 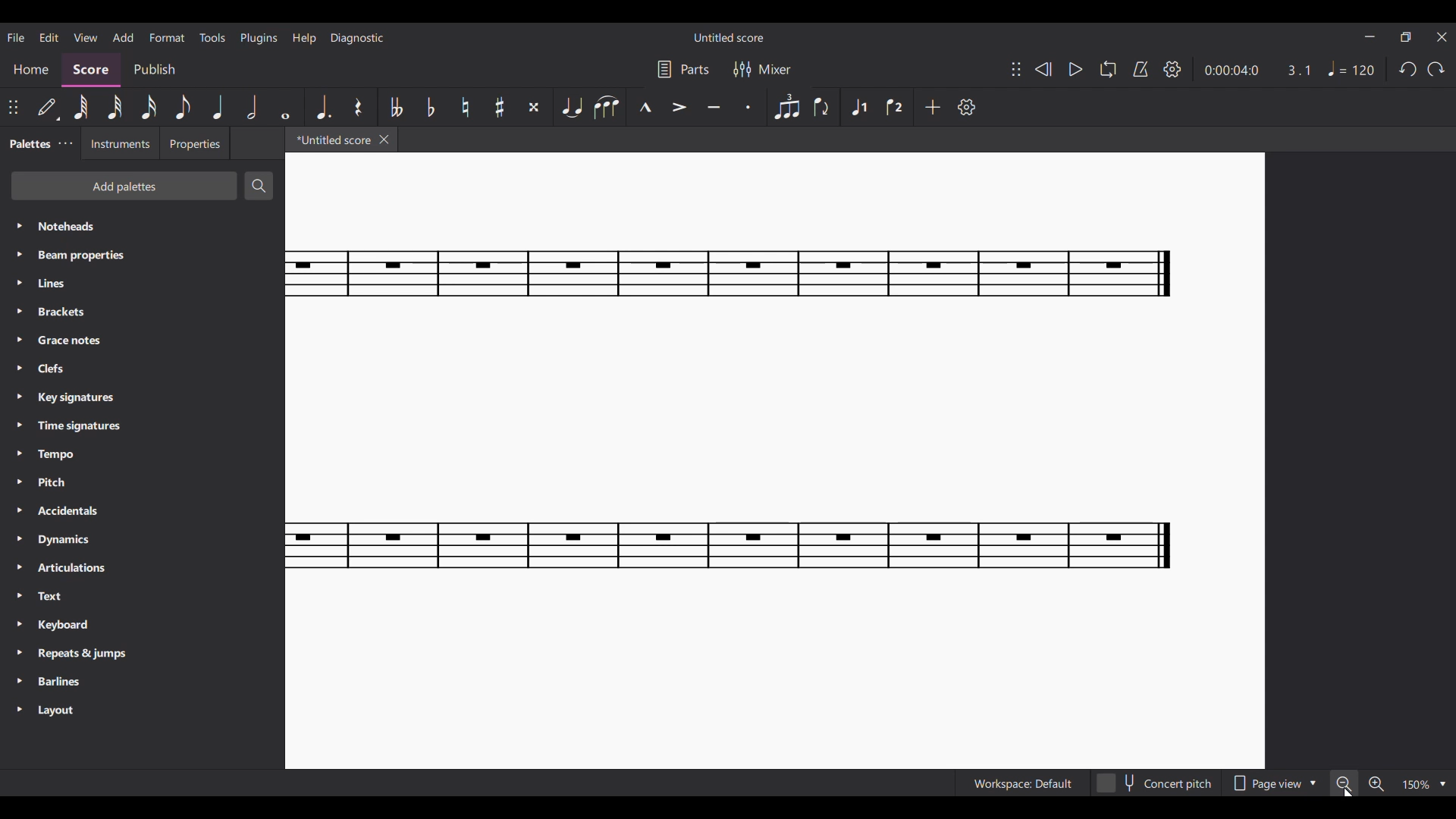 I want to click on Keyboard, so click(x=142, y=625).